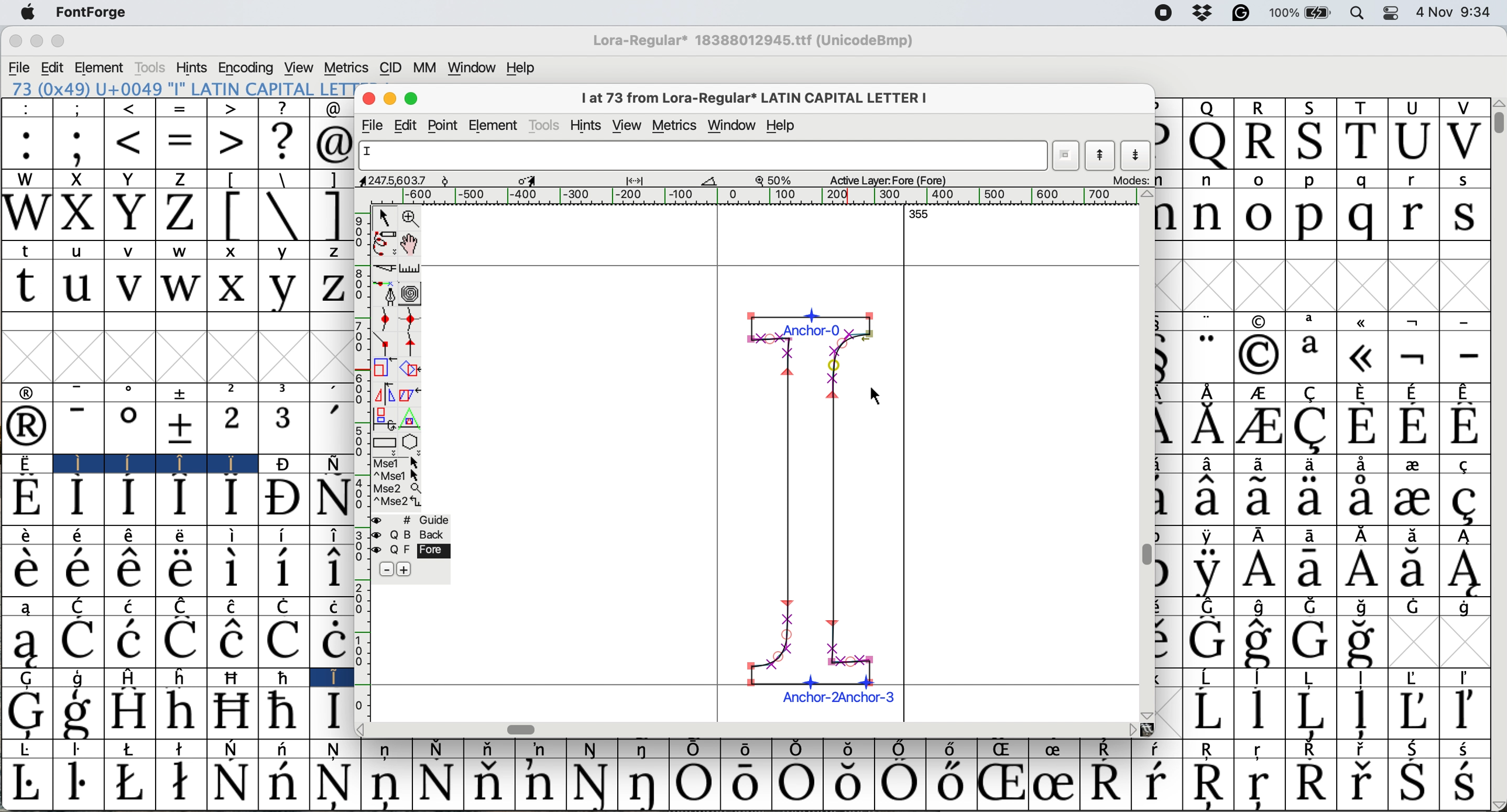  Describe the element at coordinates (180, 570) in the screenshot. I see `Symbol` at that location.